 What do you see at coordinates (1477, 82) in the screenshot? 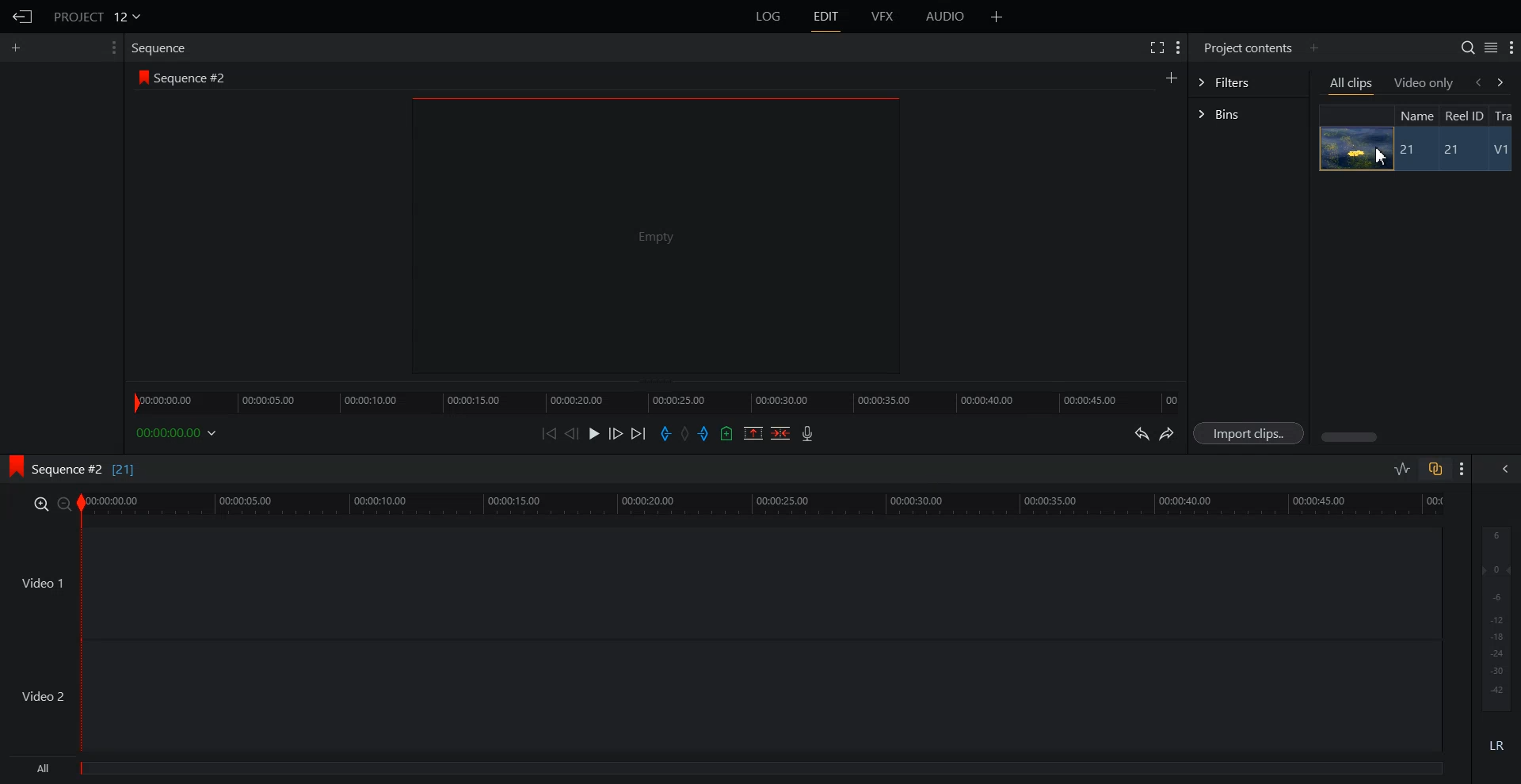
I see `backward` at bounding box center [1477, 82].